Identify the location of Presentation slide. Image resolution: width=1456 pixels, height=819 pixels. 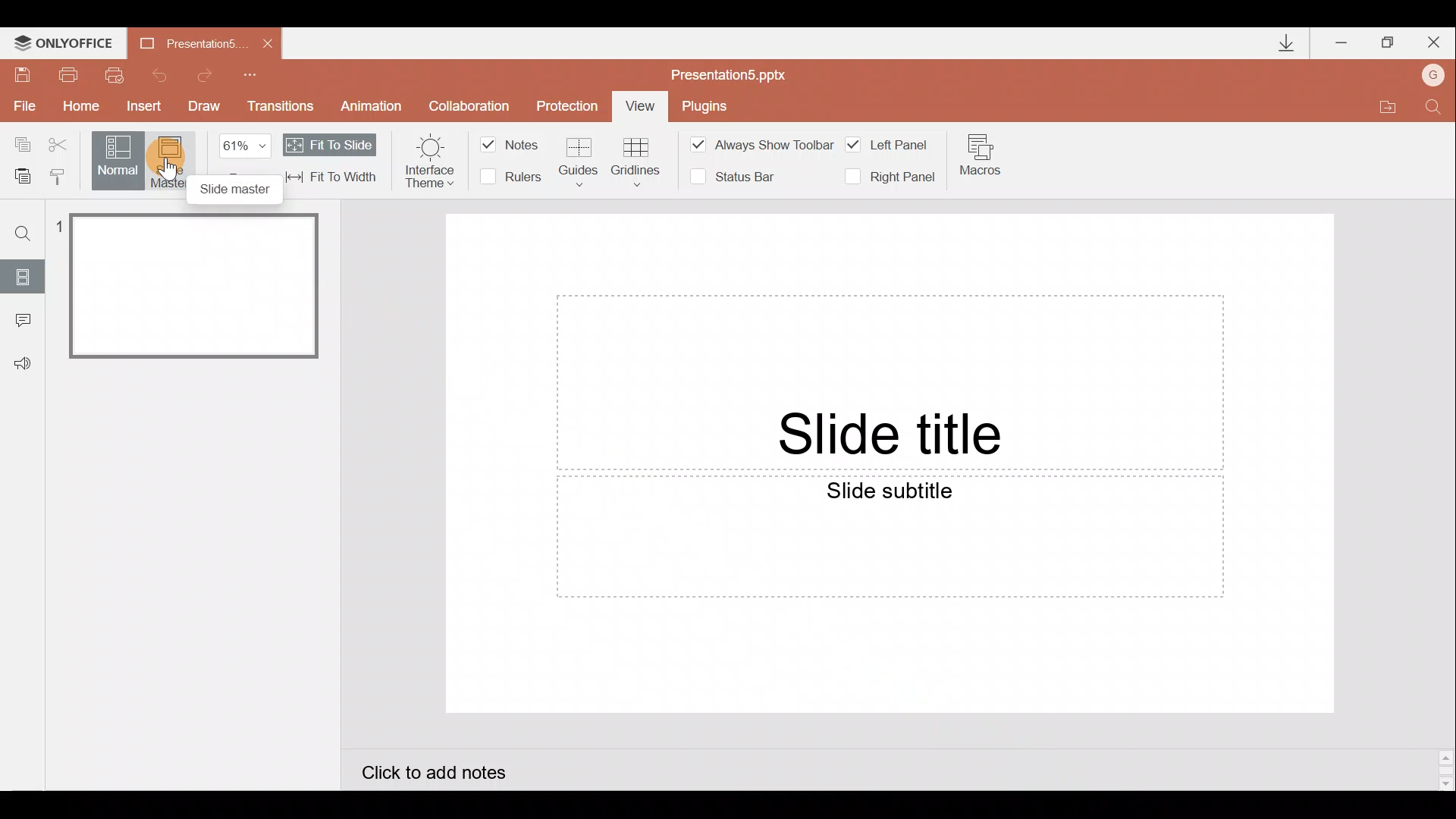
(892, 467).